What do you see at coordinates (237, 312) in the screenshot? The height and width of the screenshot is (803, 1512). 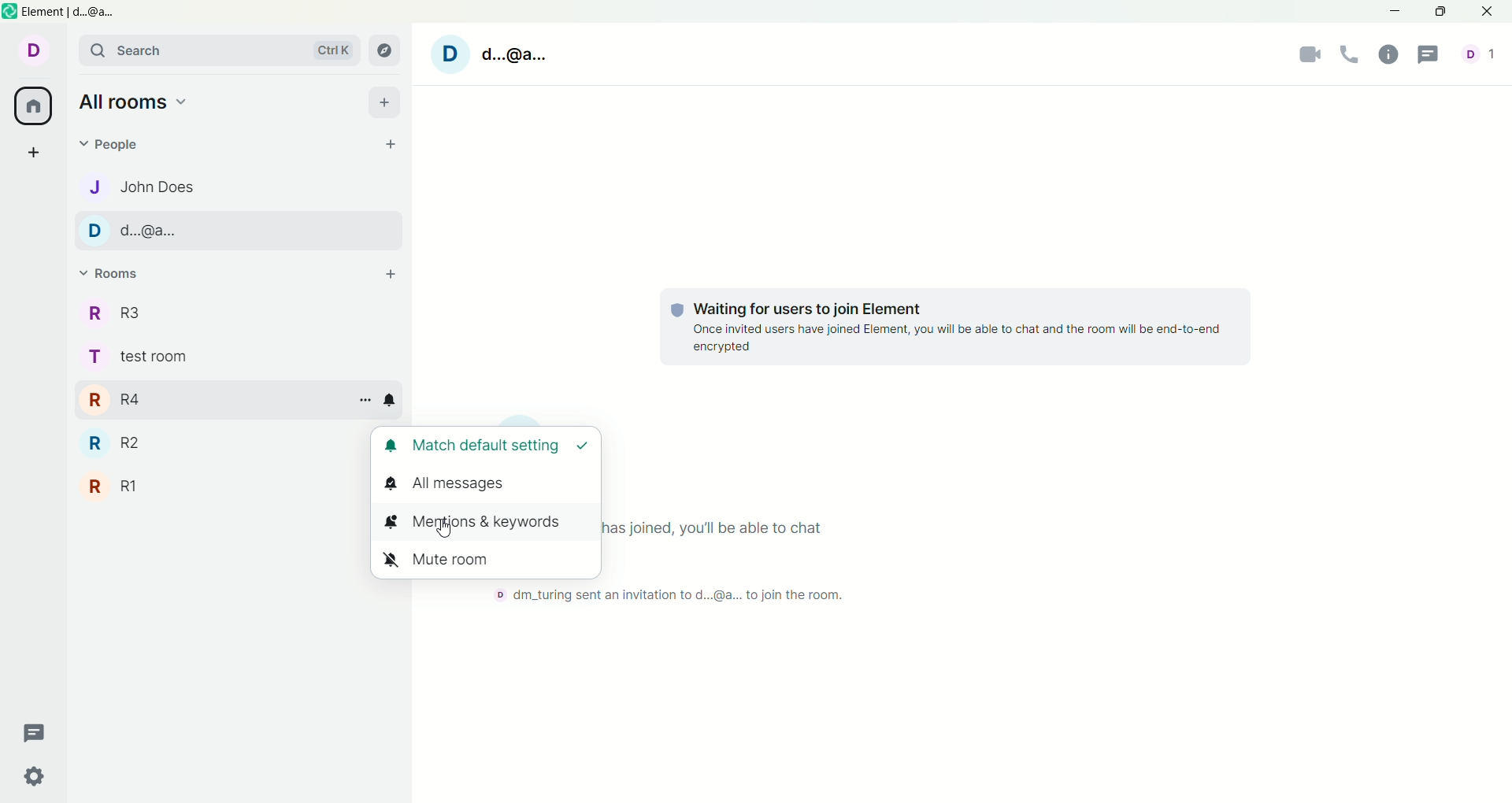 I see `R3 room` at bounding box center [237, 312].